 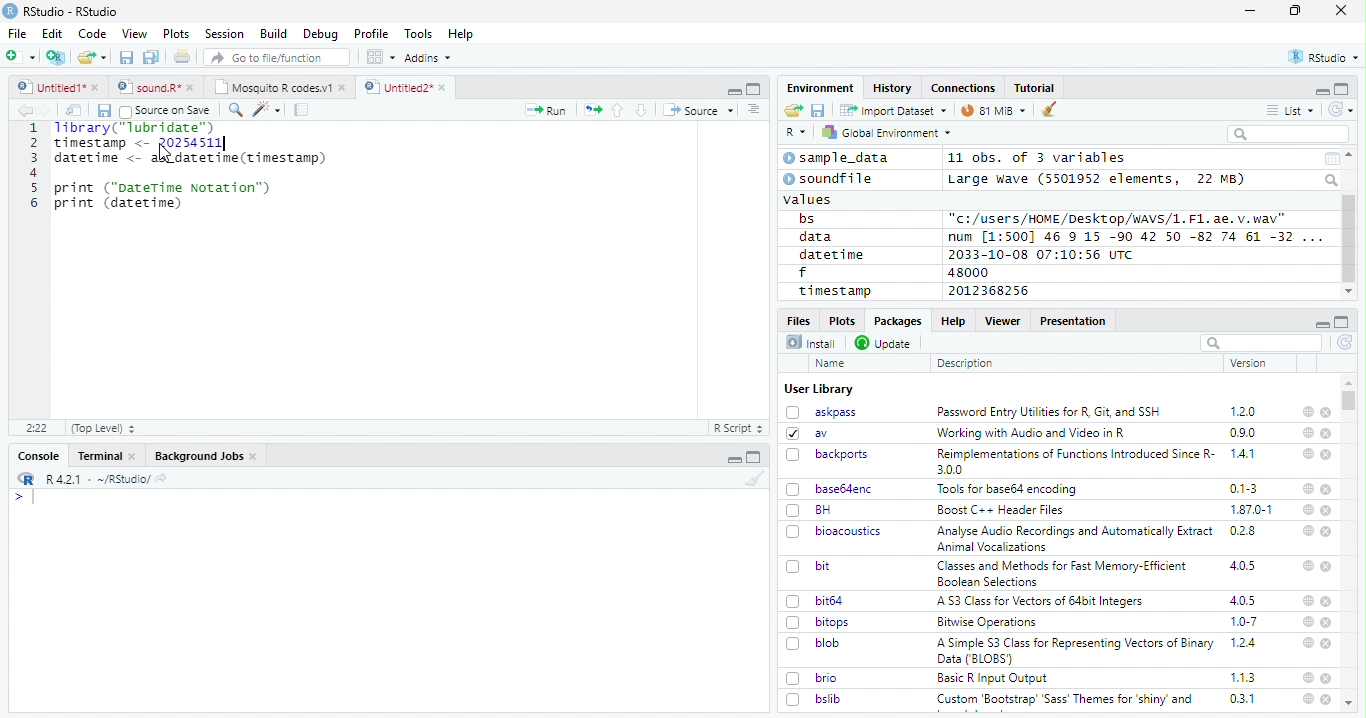 What do you see at coordinates (1135, 236) in the screenshot?
I see `num [1:500] 46 9 15 -90 42 50 -82 74 61 -32 ...` at bounding box center [1135, 236].